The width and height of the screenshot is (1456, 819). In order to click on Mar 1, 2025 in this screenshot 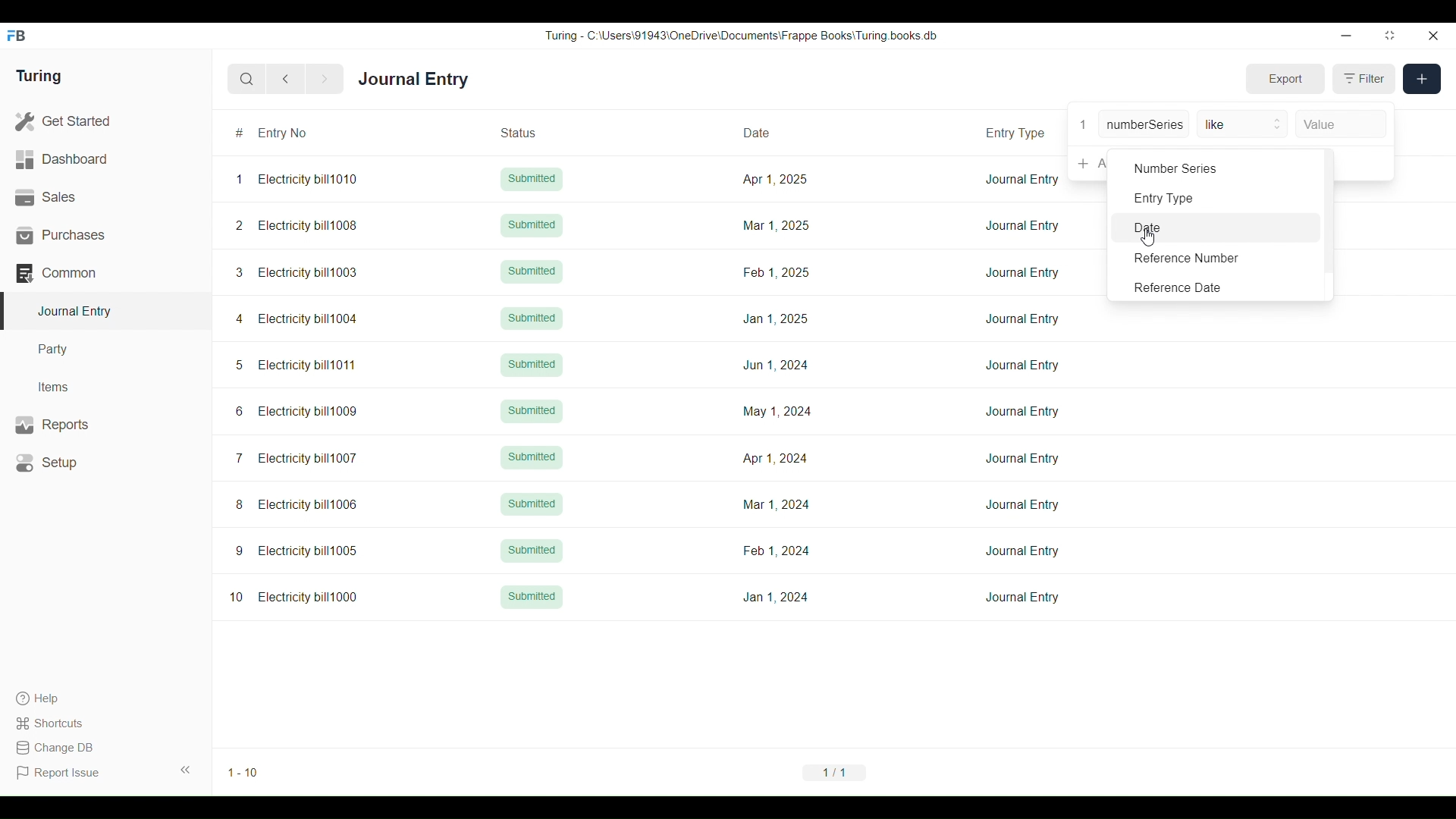, I will do `click(774, 225)`.